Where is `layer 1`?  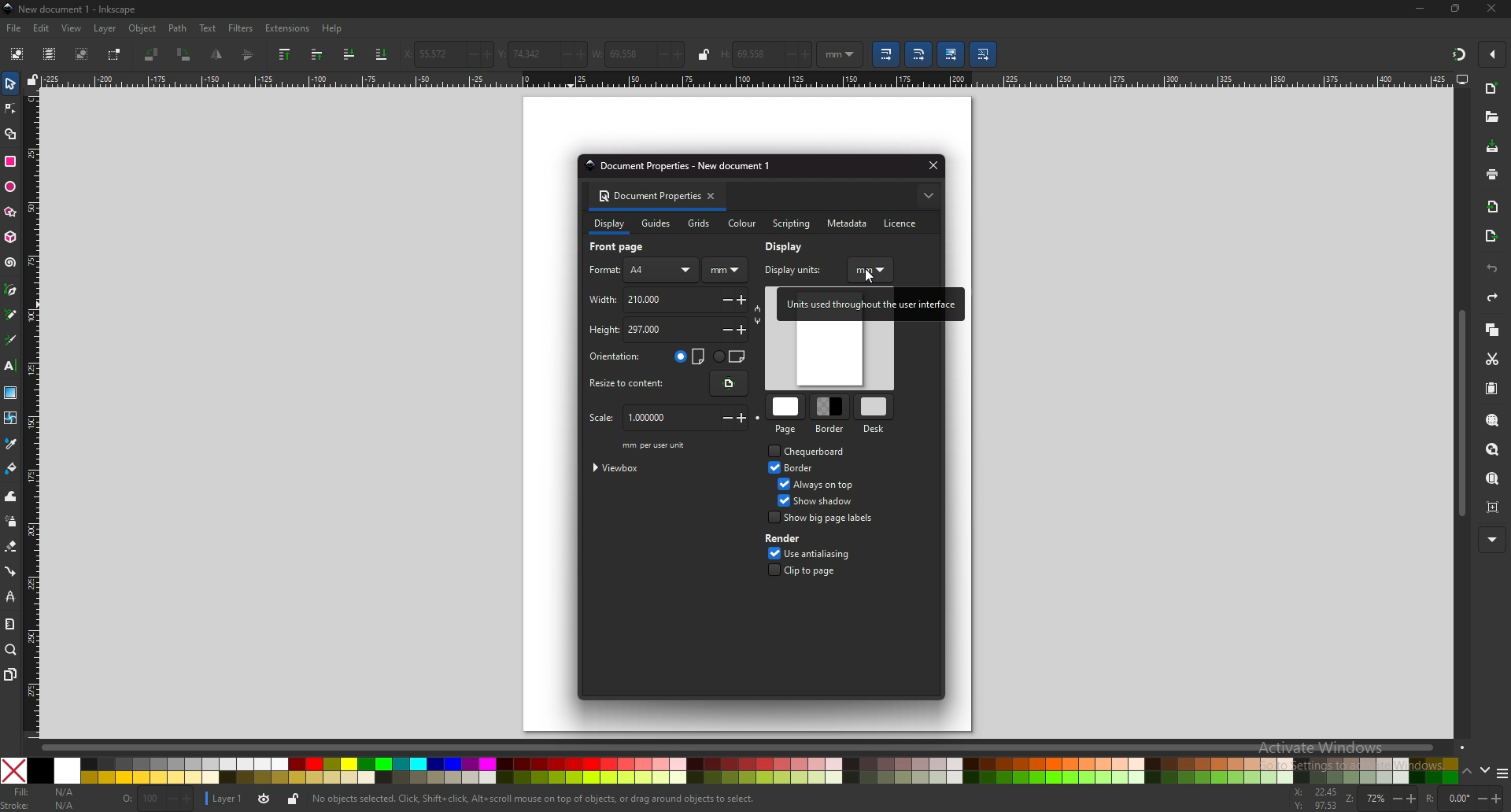
layer 1 is located at coordinates (224, 799).